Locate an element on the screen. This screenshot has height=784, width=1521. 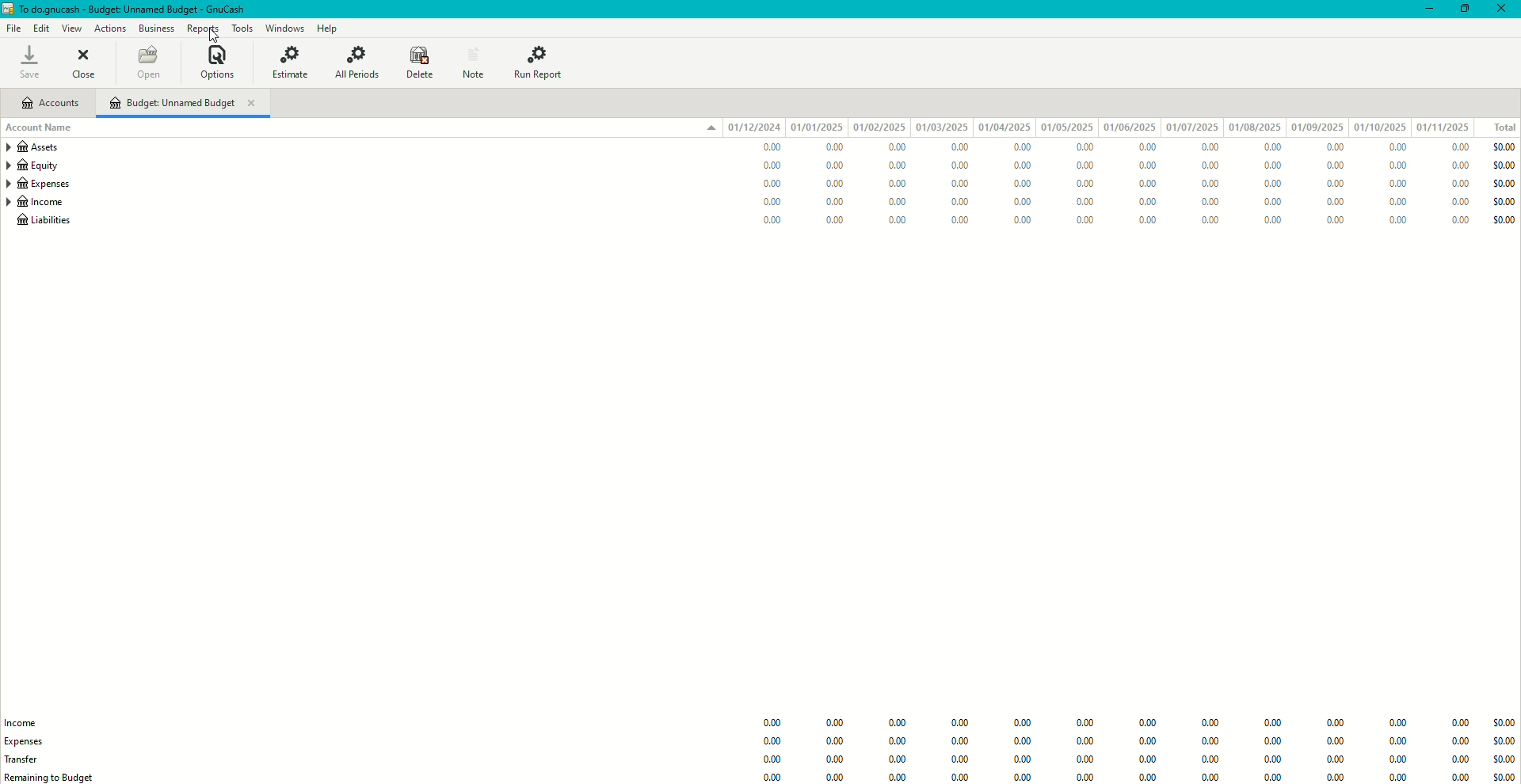
0.00 is located at coordinates (1334, 777).